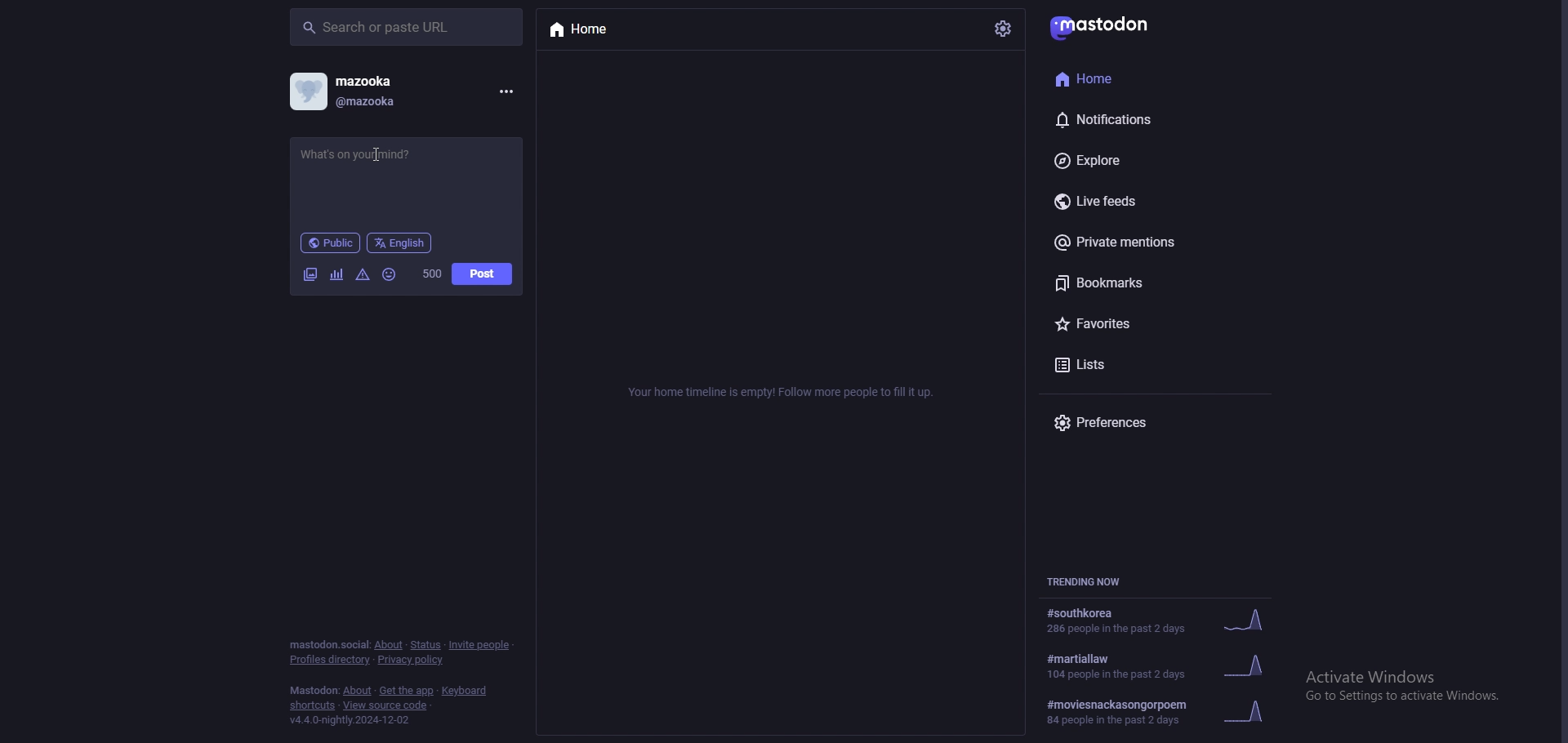  Describe the element at coordinates (379, 157) in the screenshot. I see `Ibeam cursor` at that location.